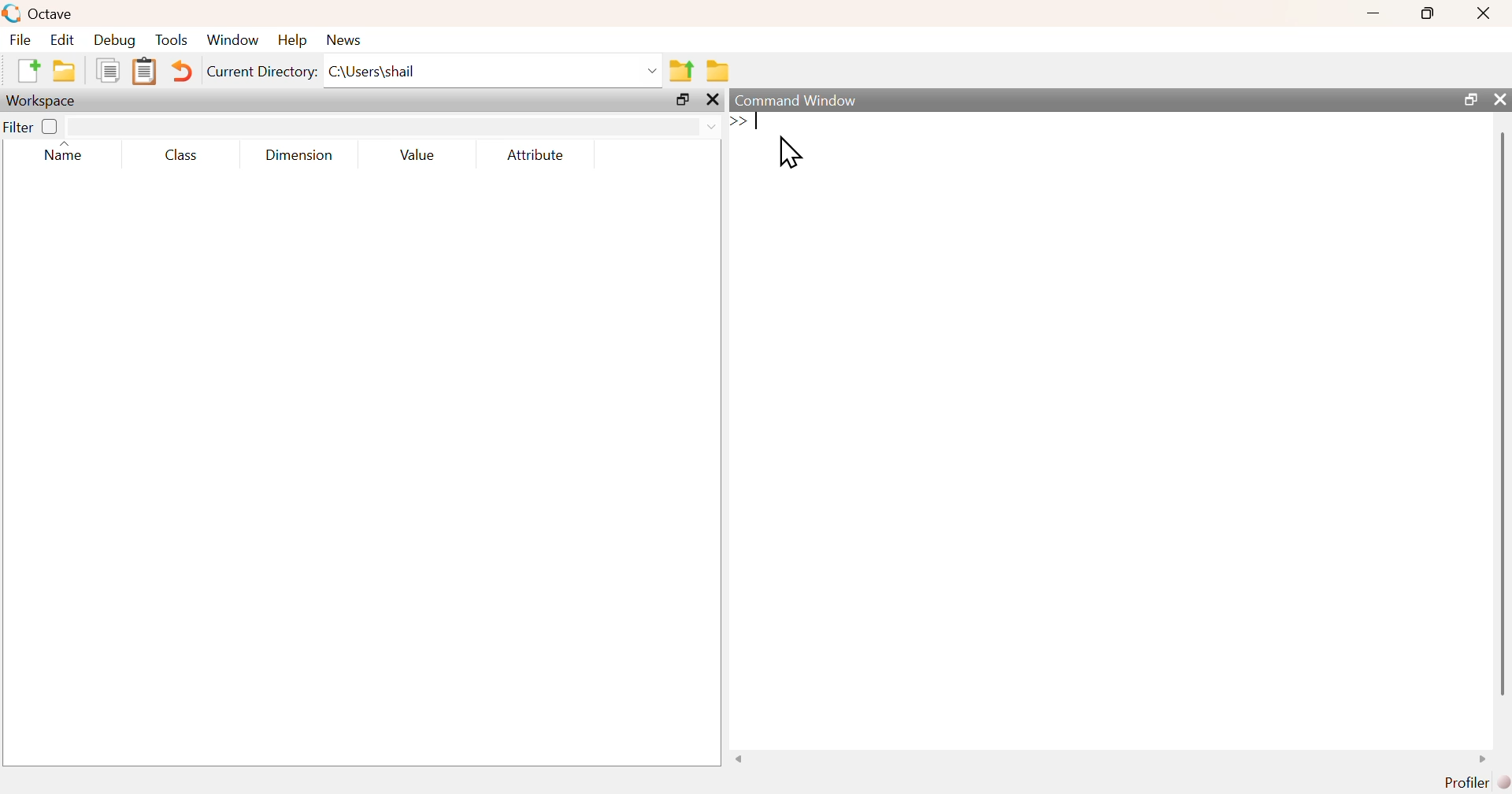  Describe the element at coordinates (1373, 13) in the screenshot. I see `minimize` at that location.